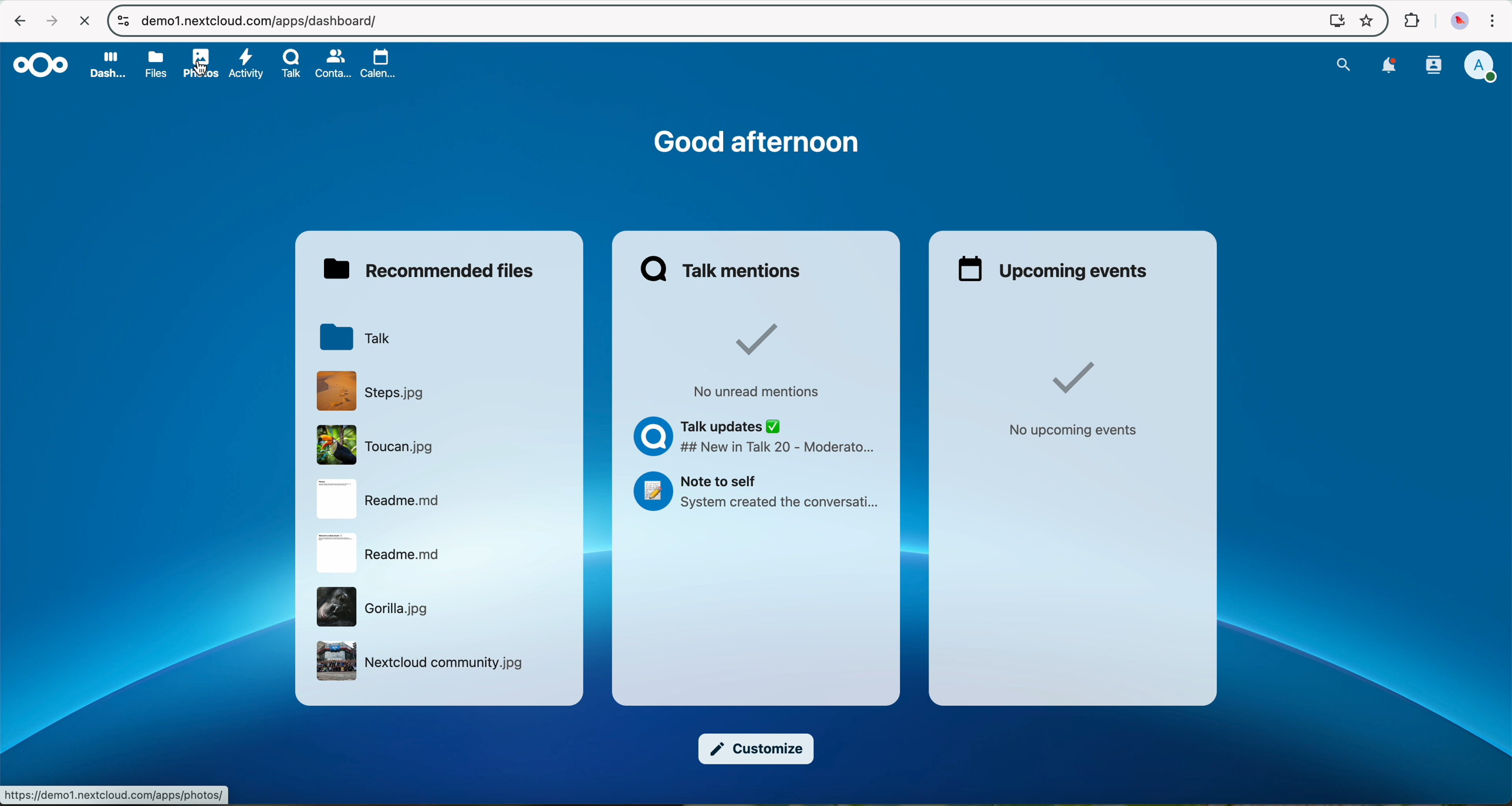 The height and width of the screenshot is (806, 1512). Describe the element at coordinates (36, 64) in the screenshot. I see `Nextcloud logo` at that location.